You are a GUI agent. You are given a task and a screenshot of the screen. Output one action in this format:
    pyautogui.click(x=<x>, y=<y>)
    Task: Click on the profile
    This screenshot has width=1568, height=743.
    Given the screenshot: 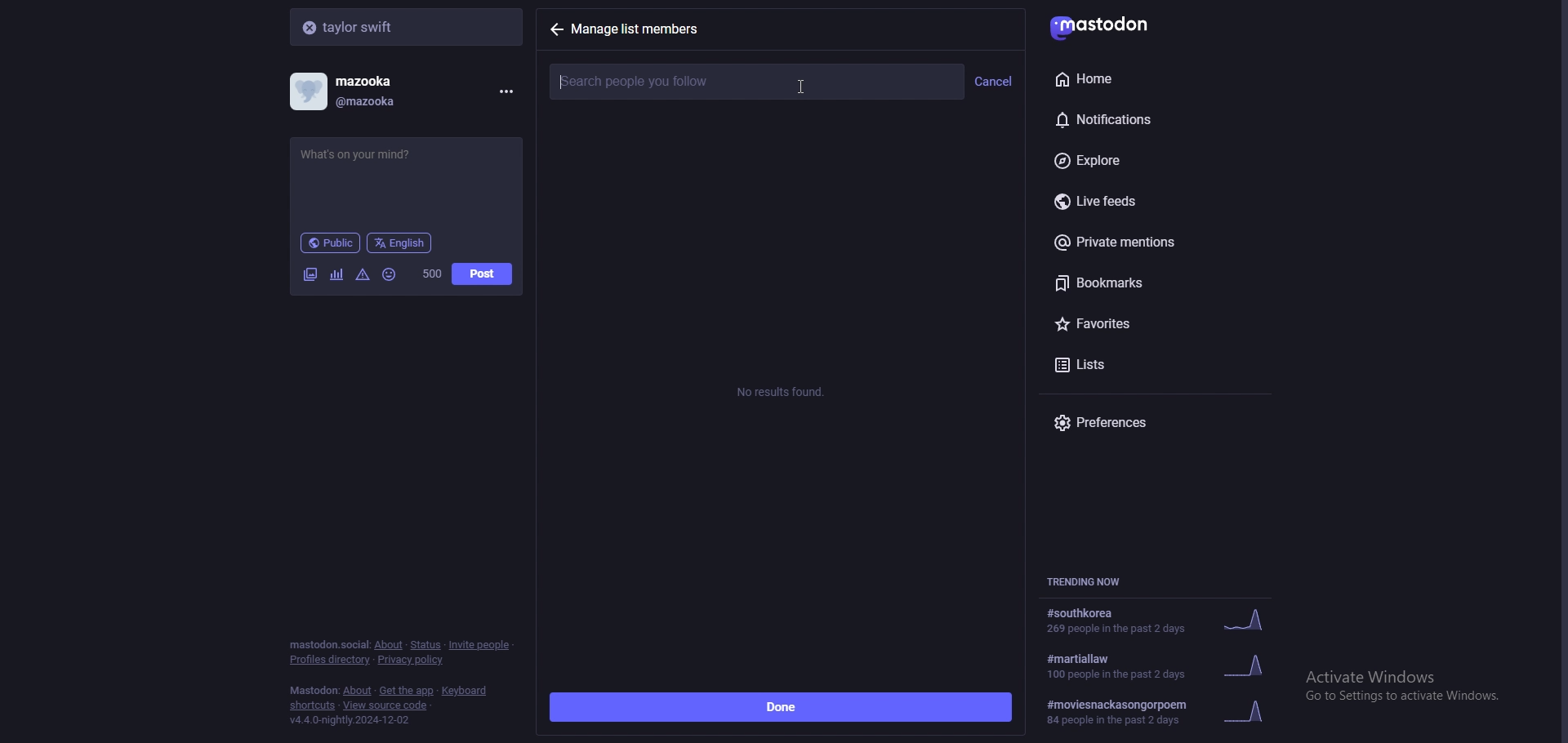 What is the action you would take?
    pyautogui.click(x=356, y=91)
    